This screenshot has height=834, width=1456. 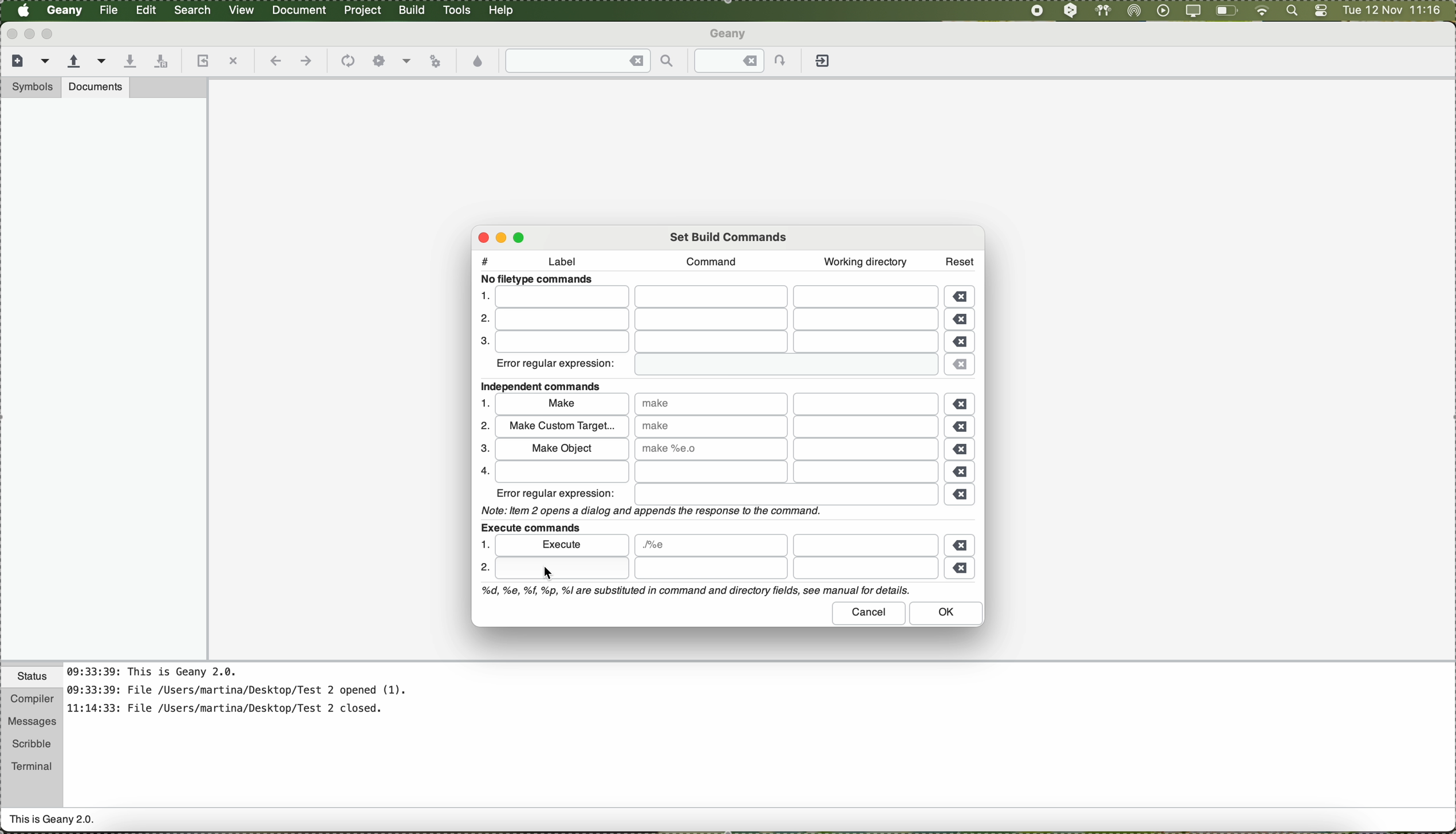 What do you see at coordinates (714, 343) in the screenshot?
I see `file` at bounding box center [714, 343].